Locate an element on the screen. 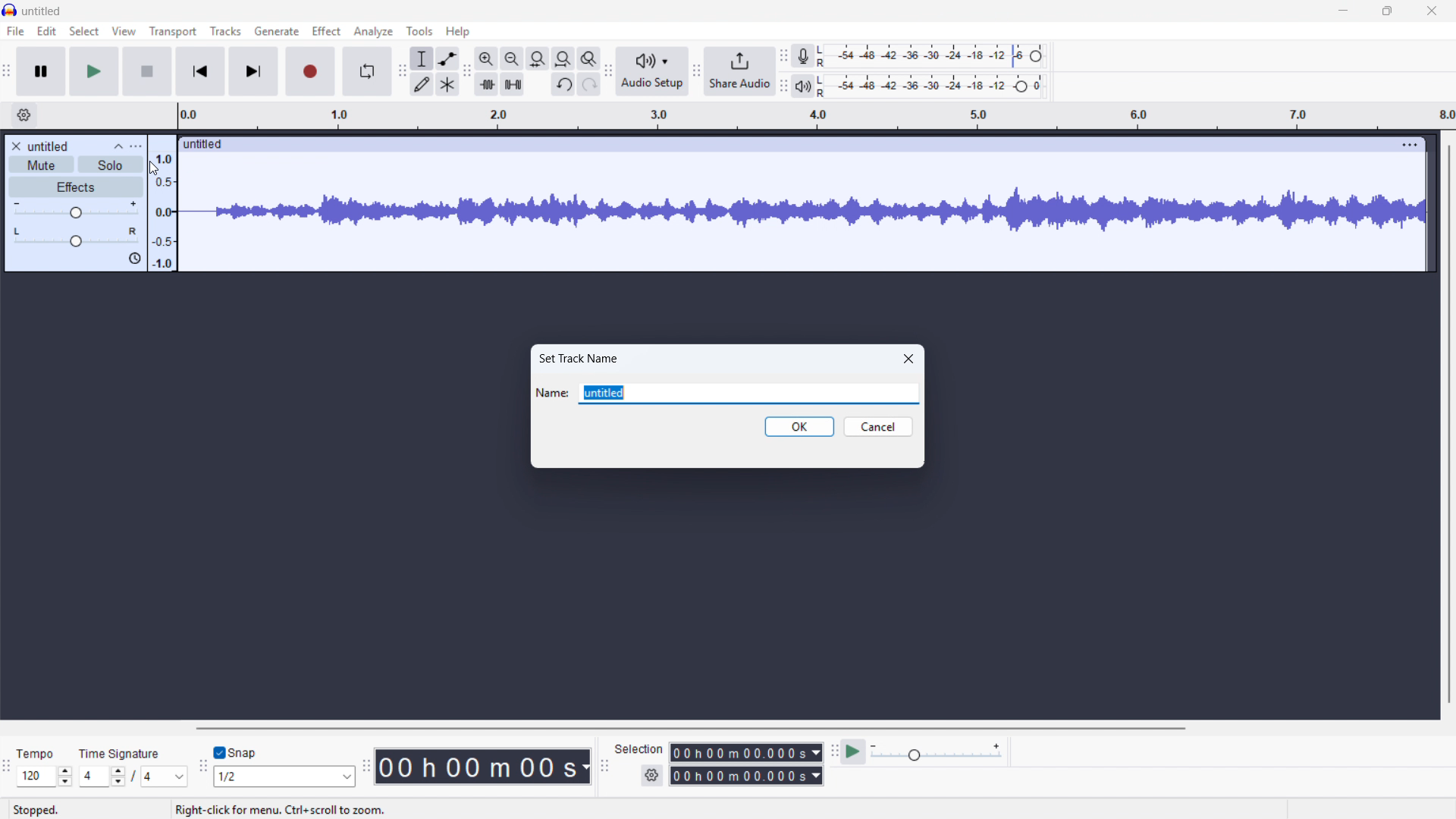  open menu...(shift+M) is located at coordinates (236, 810).